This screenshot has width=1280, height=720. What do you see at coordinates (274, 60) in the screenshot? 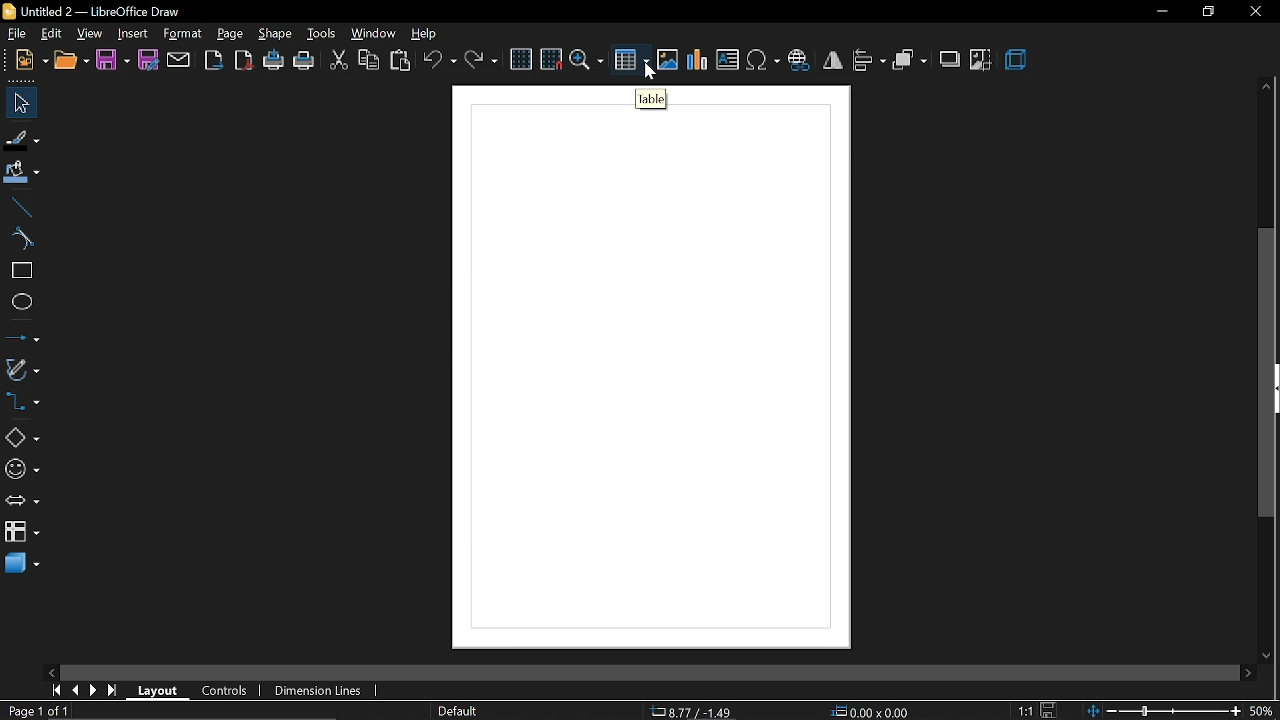
I see `print directly` at bounding box center [274, 60].